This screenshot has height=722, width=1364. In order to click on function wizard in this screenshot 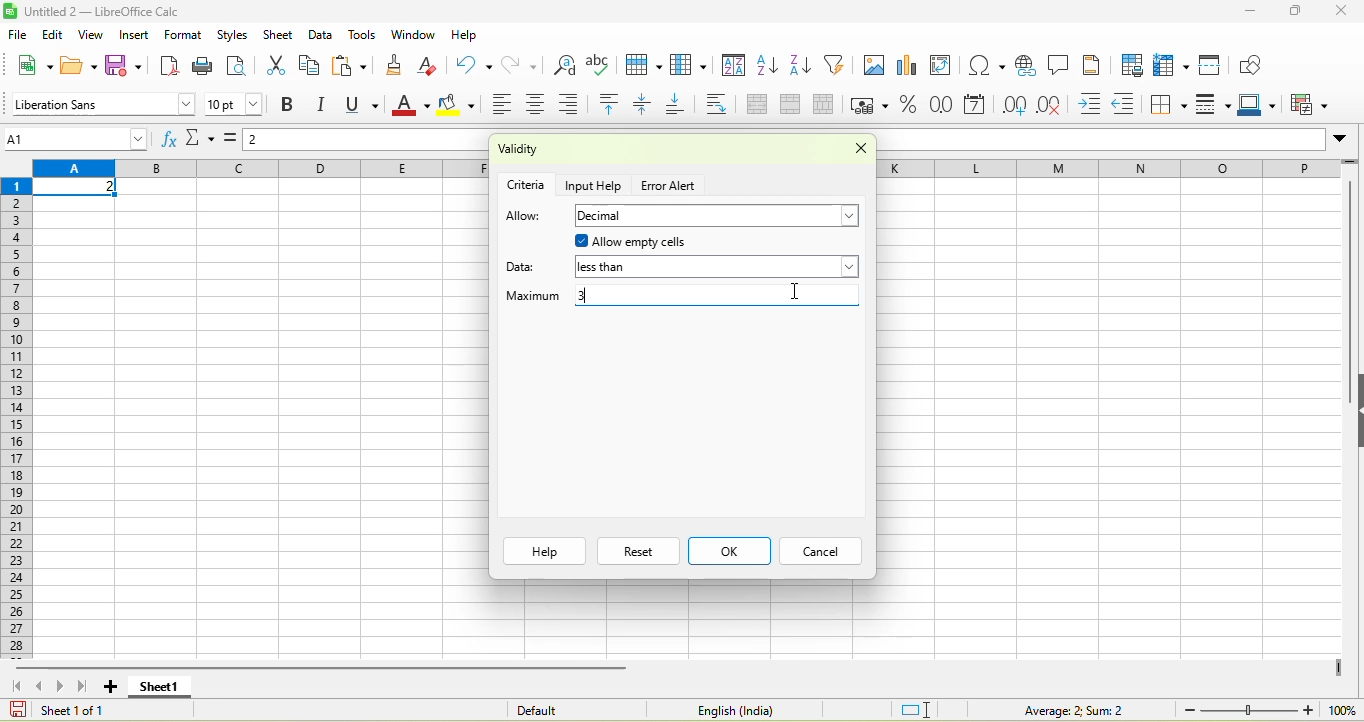, I will do `click(169, 139)`.